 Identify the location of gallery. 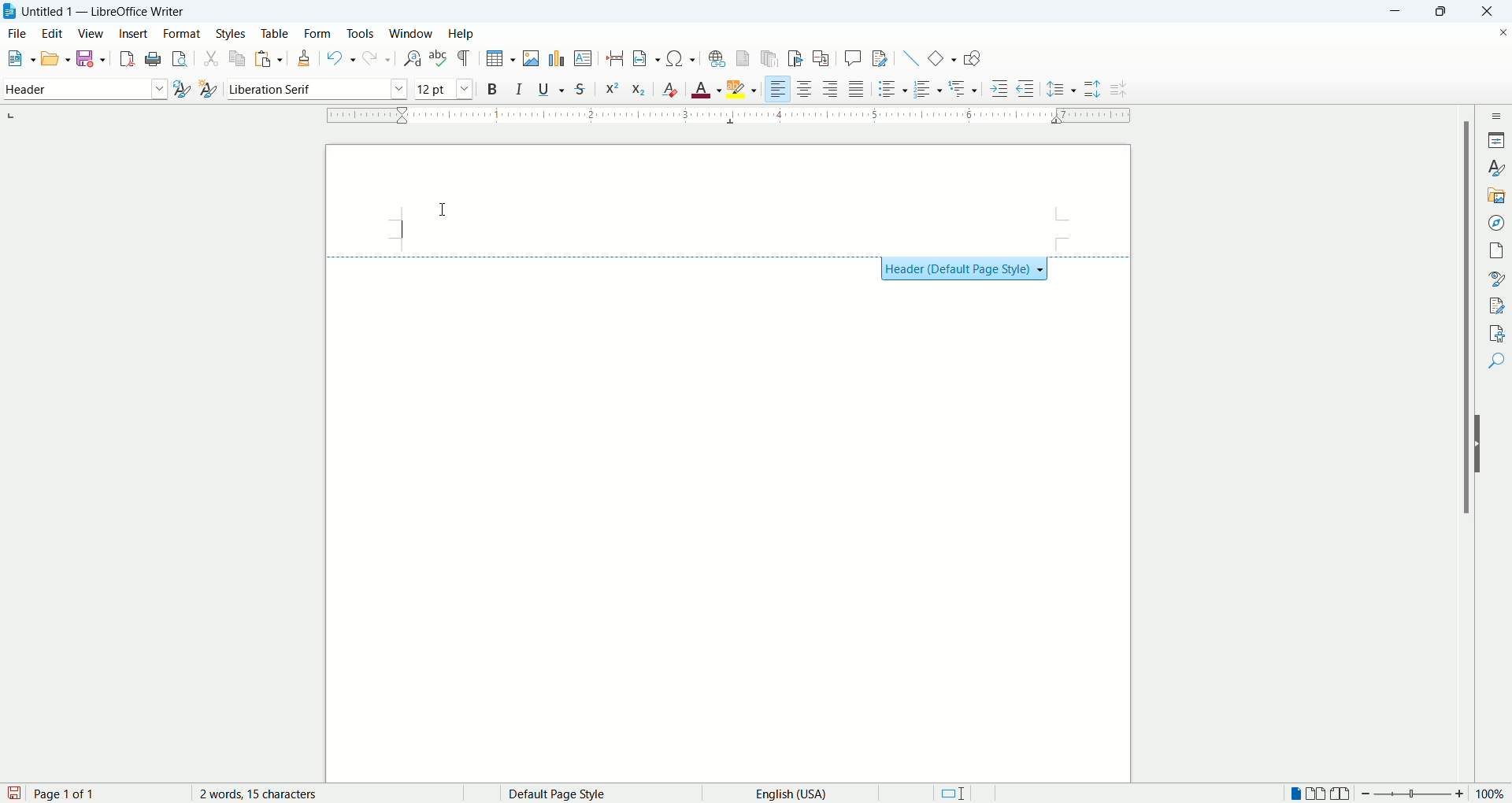
(1496, 196).